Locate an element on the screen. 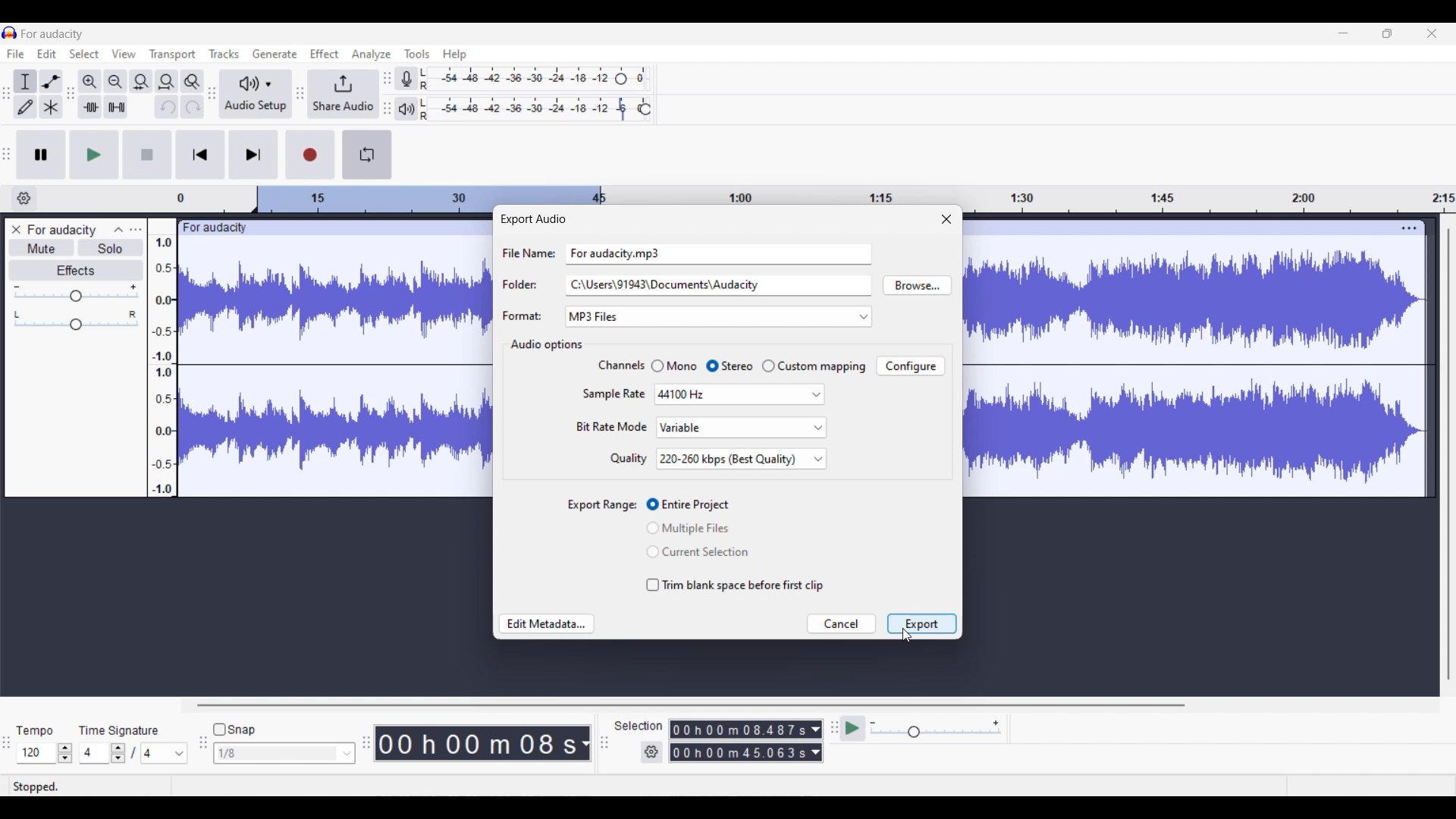 This screenshot has width=1456, height=819. Software logo is located at coordinates (10, 33).